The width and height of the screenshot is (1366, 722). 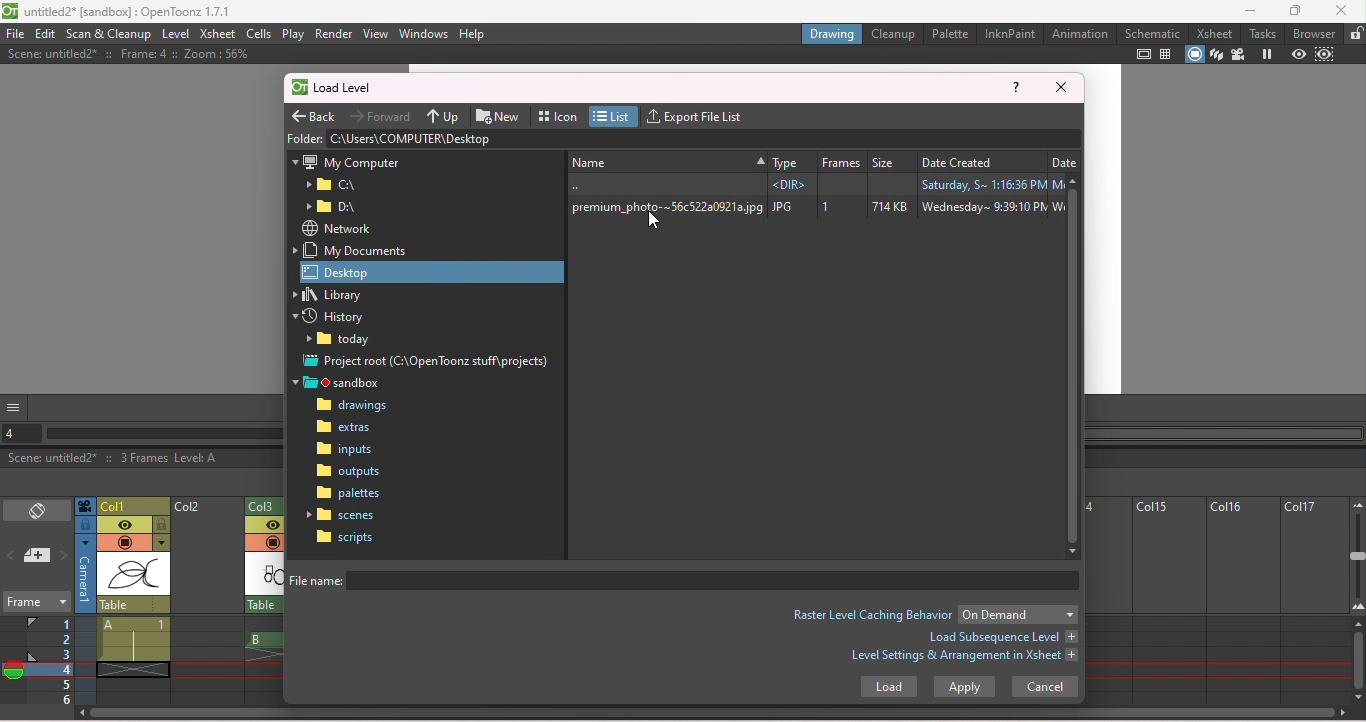 I want to click on column 2, so click(x=207, y=602).